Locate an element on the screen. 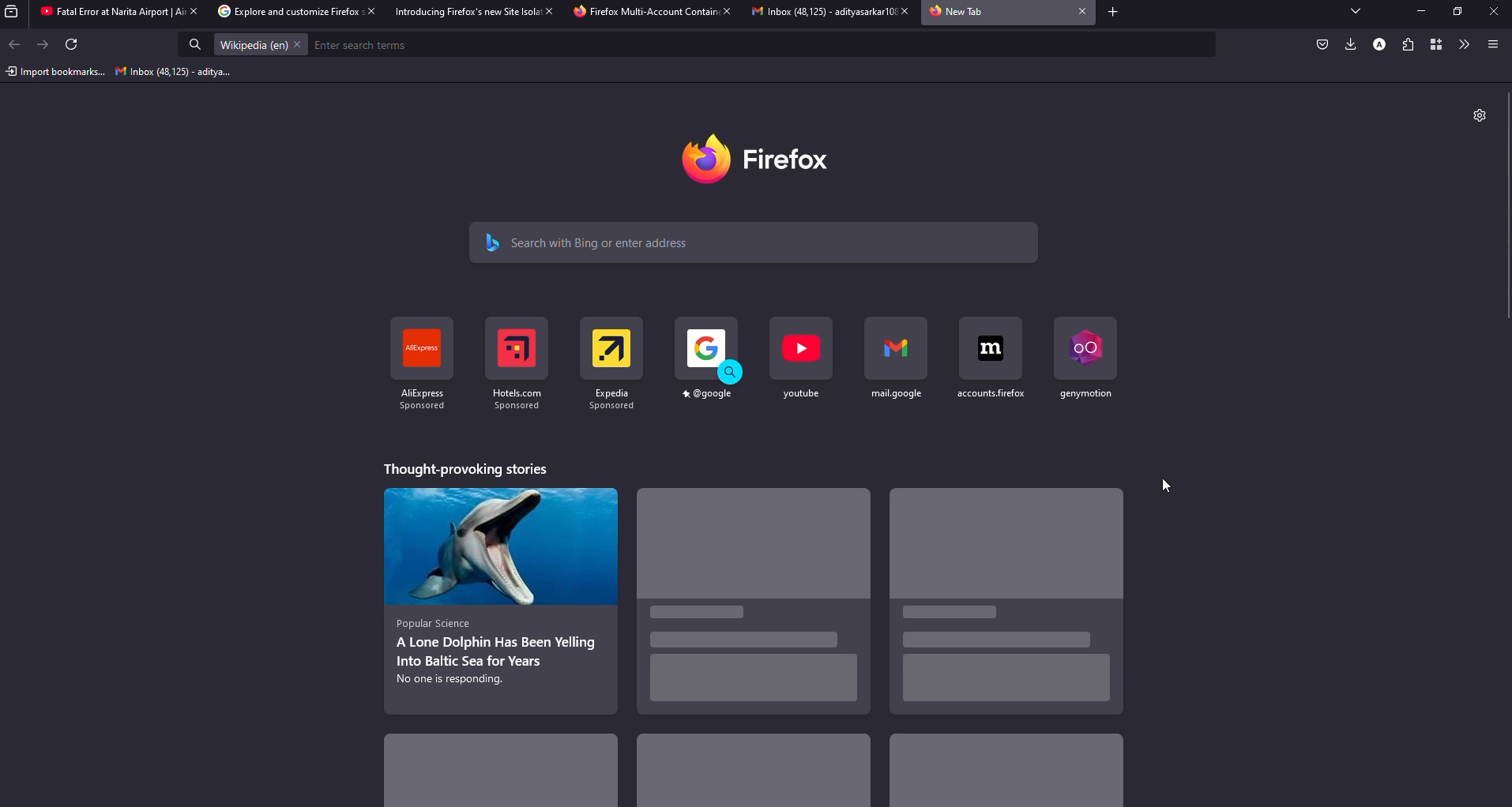 The width and height of the screenshot is (1512, 807). container is located at coordinates (1439, 45).